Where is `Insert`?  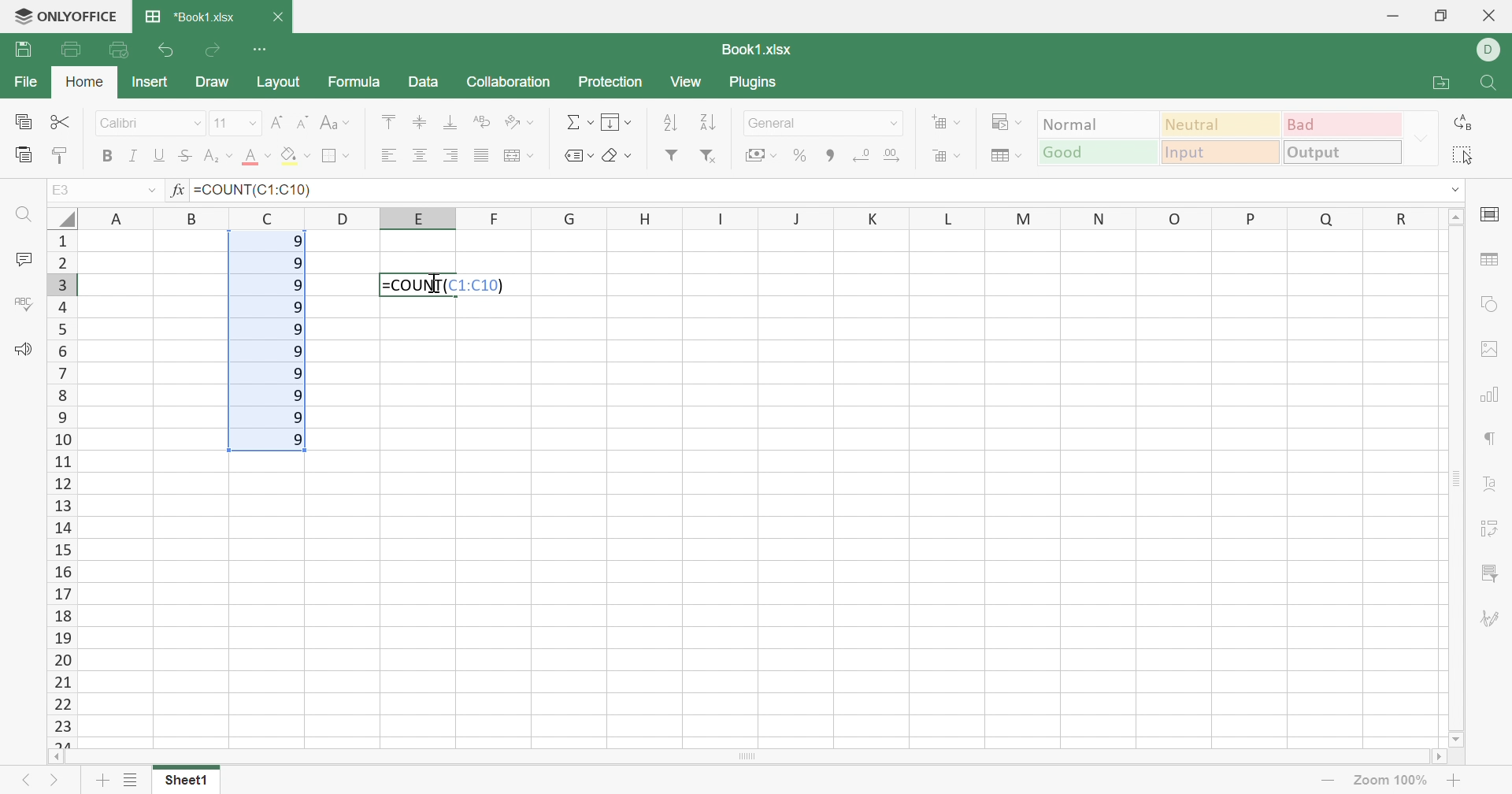
Insert is located at coordinates (152, 83).